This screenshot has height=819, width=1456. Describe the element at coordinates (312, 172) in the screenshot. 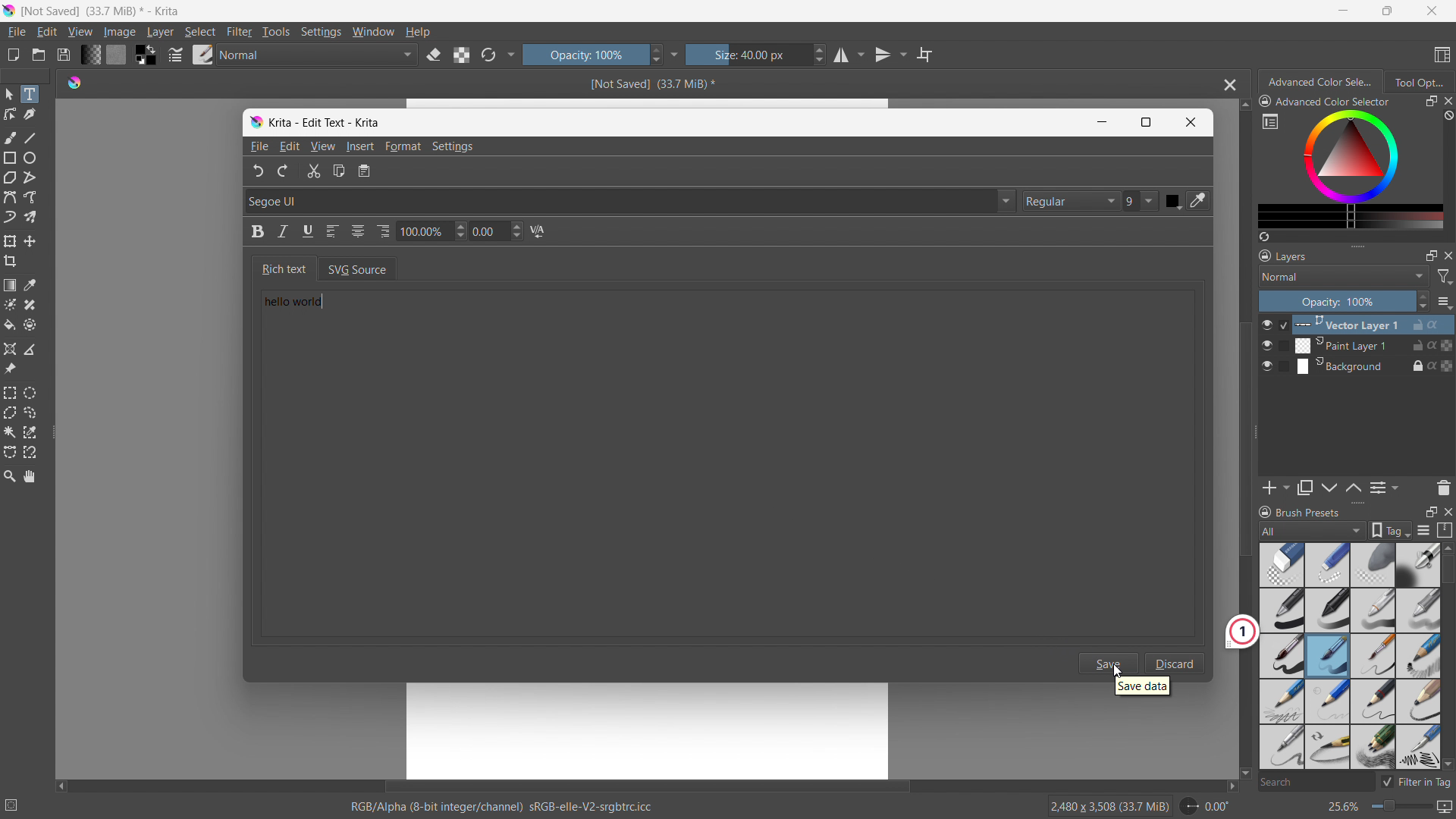

I see `Cut` at that location.